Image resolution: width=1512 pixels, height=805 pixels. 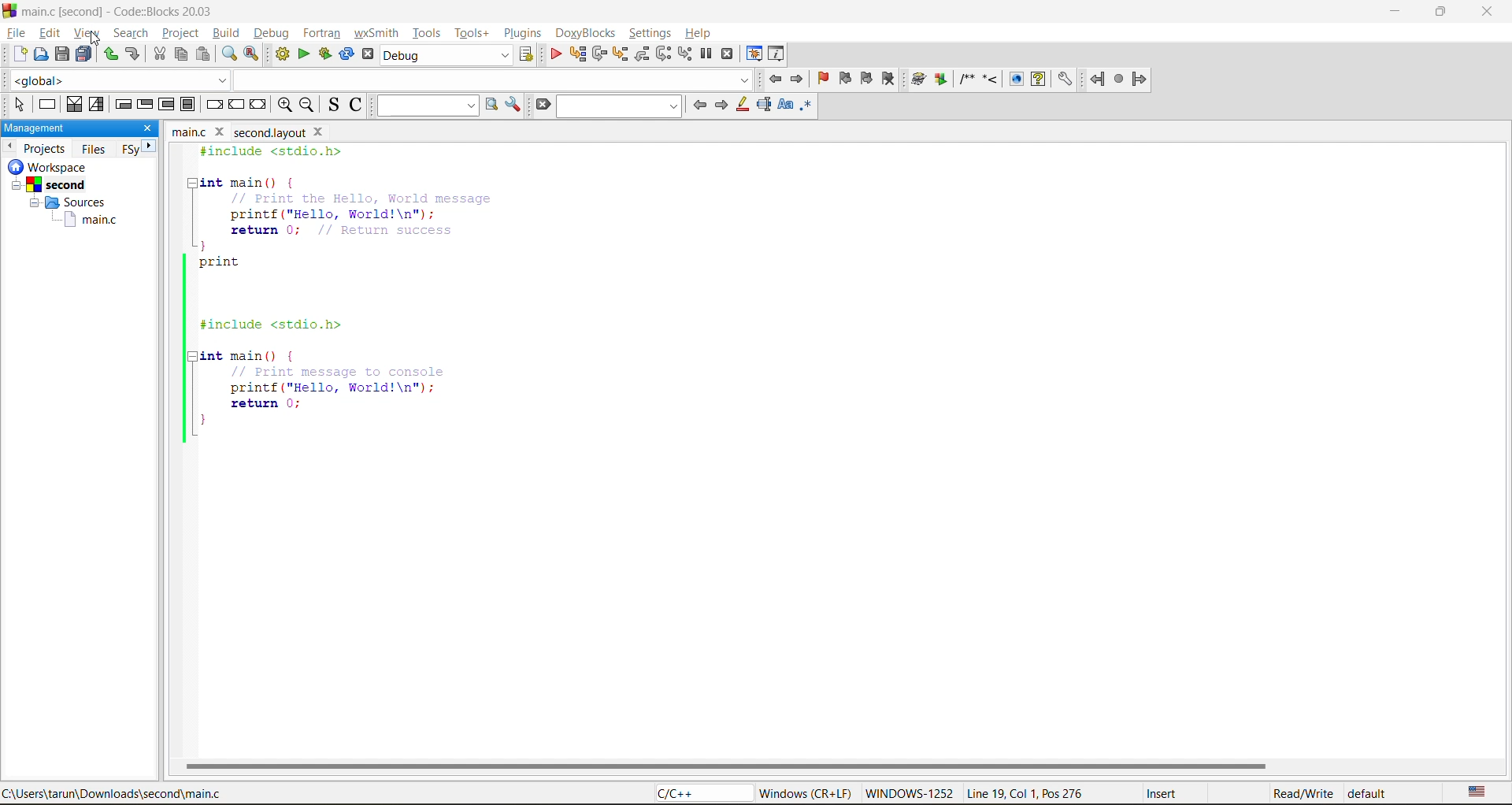 I want to click on project, so click(x=179, y=34).